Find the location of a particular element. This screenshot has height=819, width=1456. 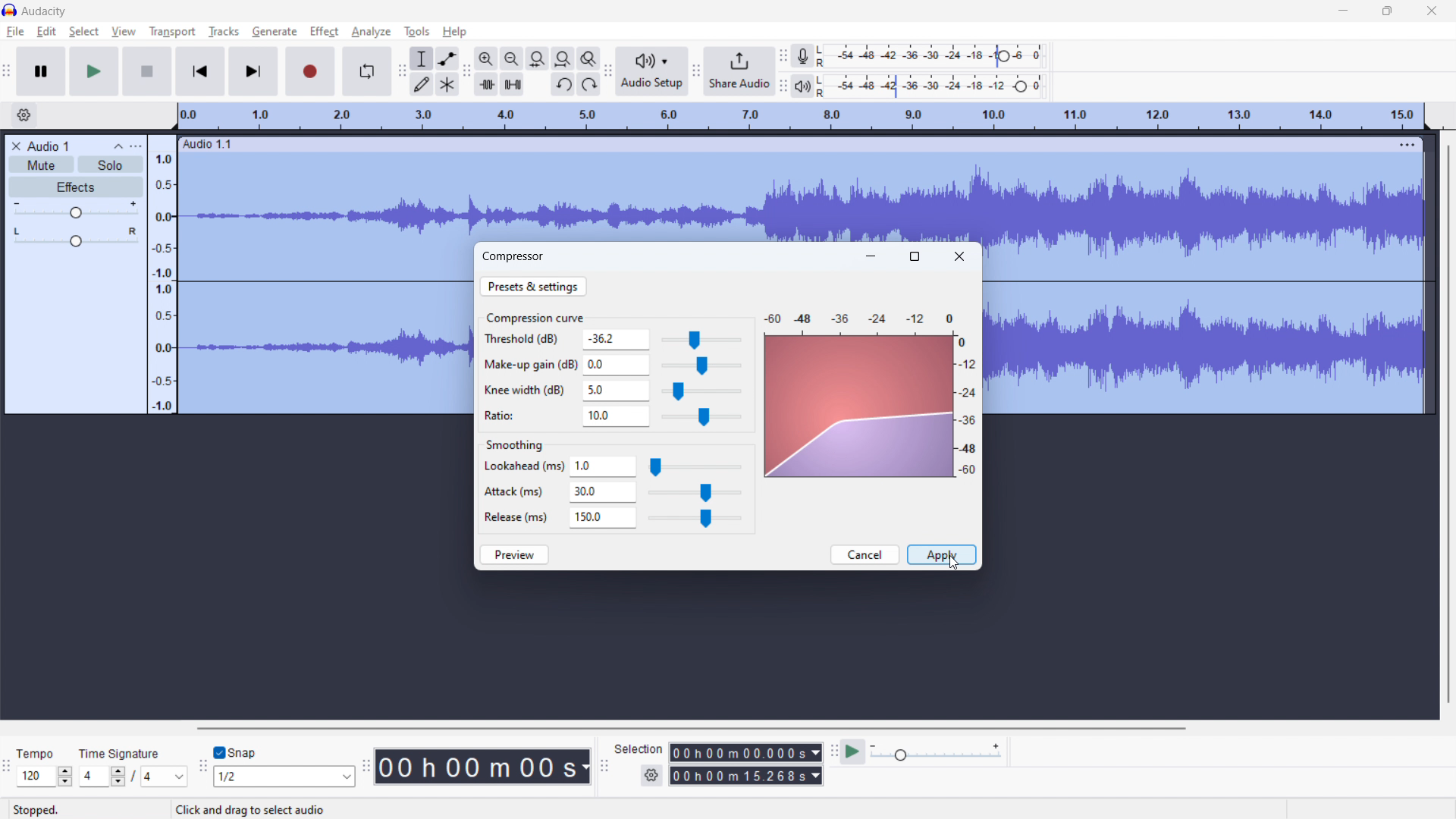

edit toolbar is located at coordinates (466, 71).